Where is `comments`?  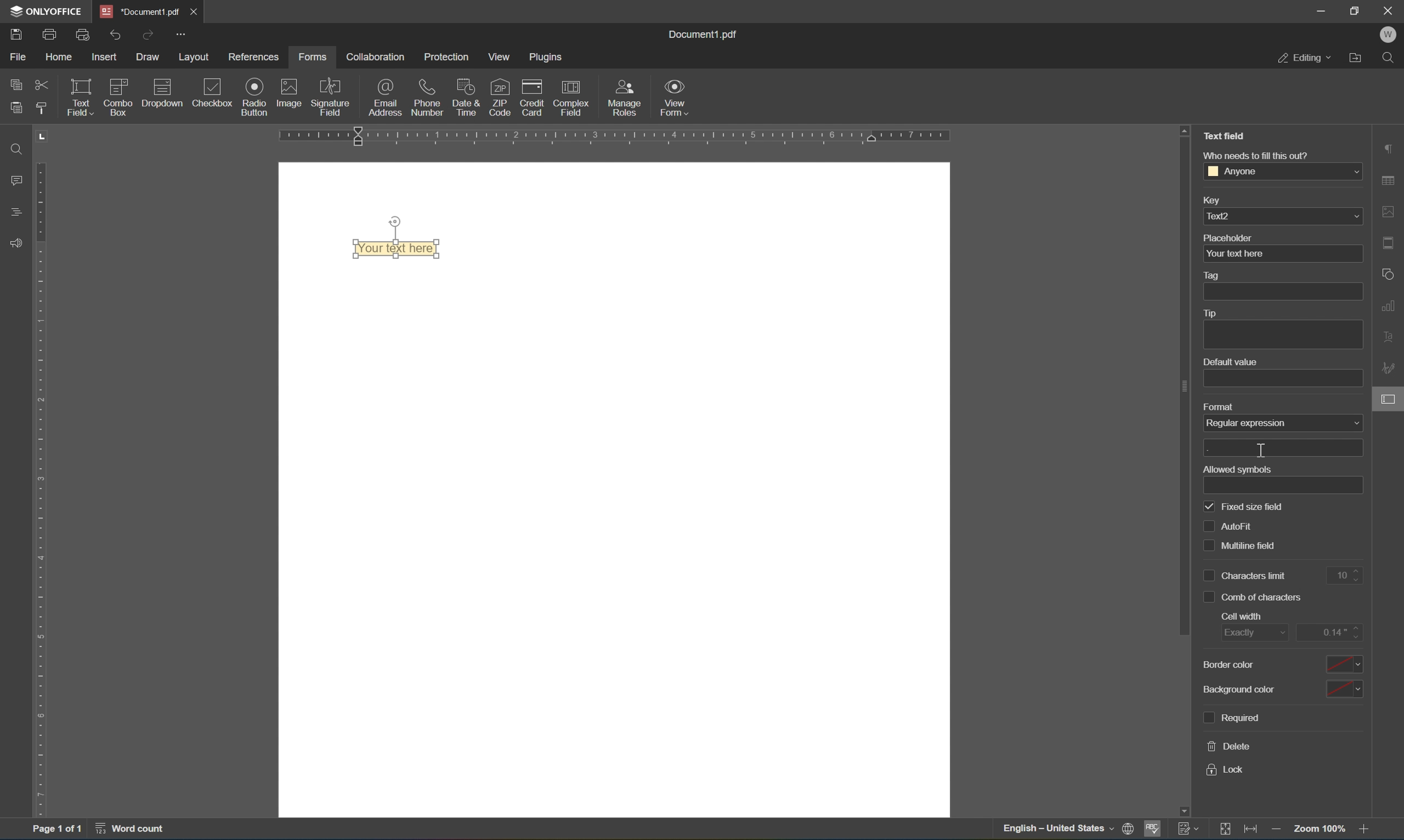 comments is located at coordinates (13, 182).